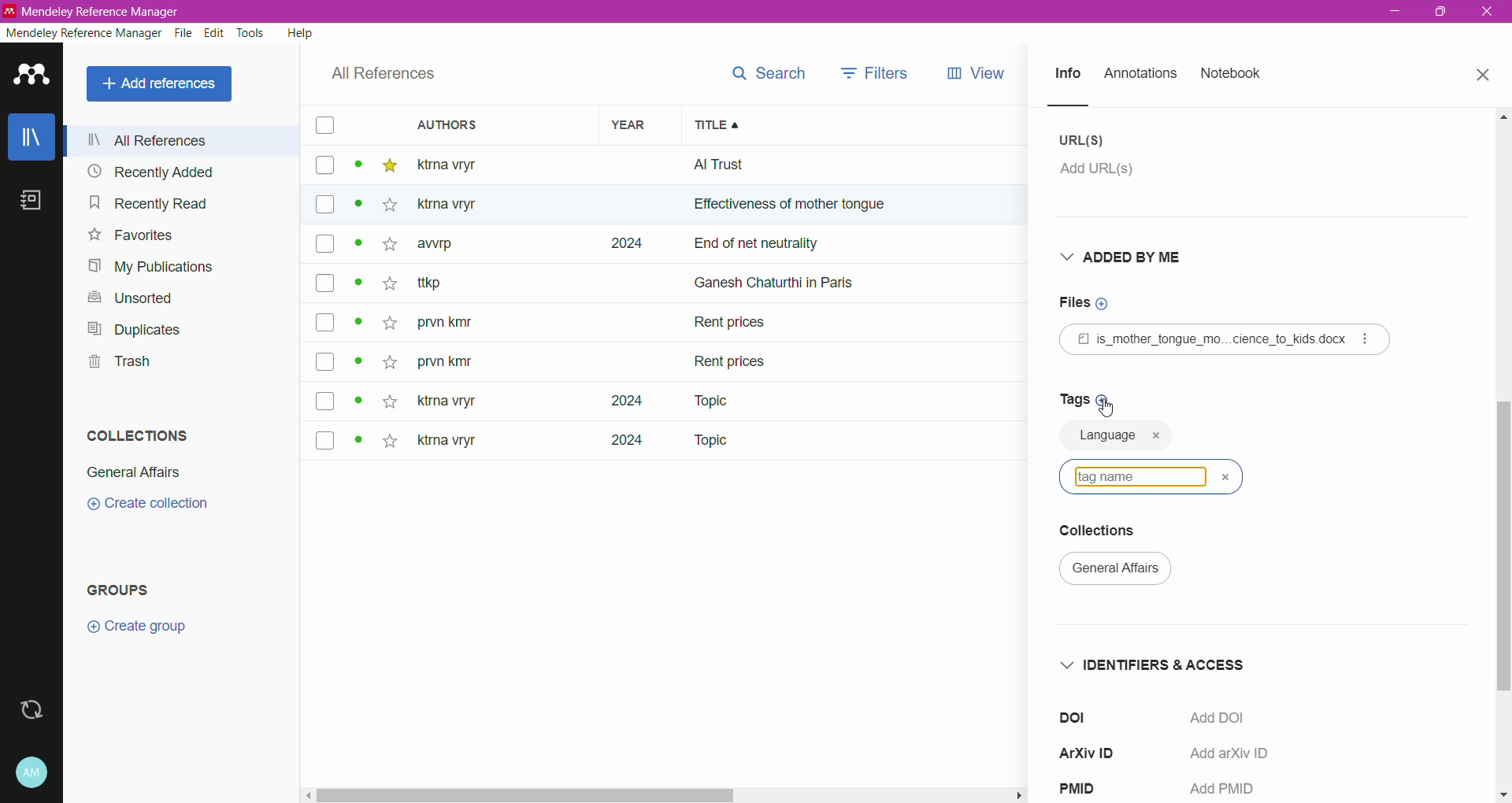 The image size is (1512, 803). What do you see at coordinates (132, 235) in the screenshot?
I see `Favorites` at bounding box center [132, 235].